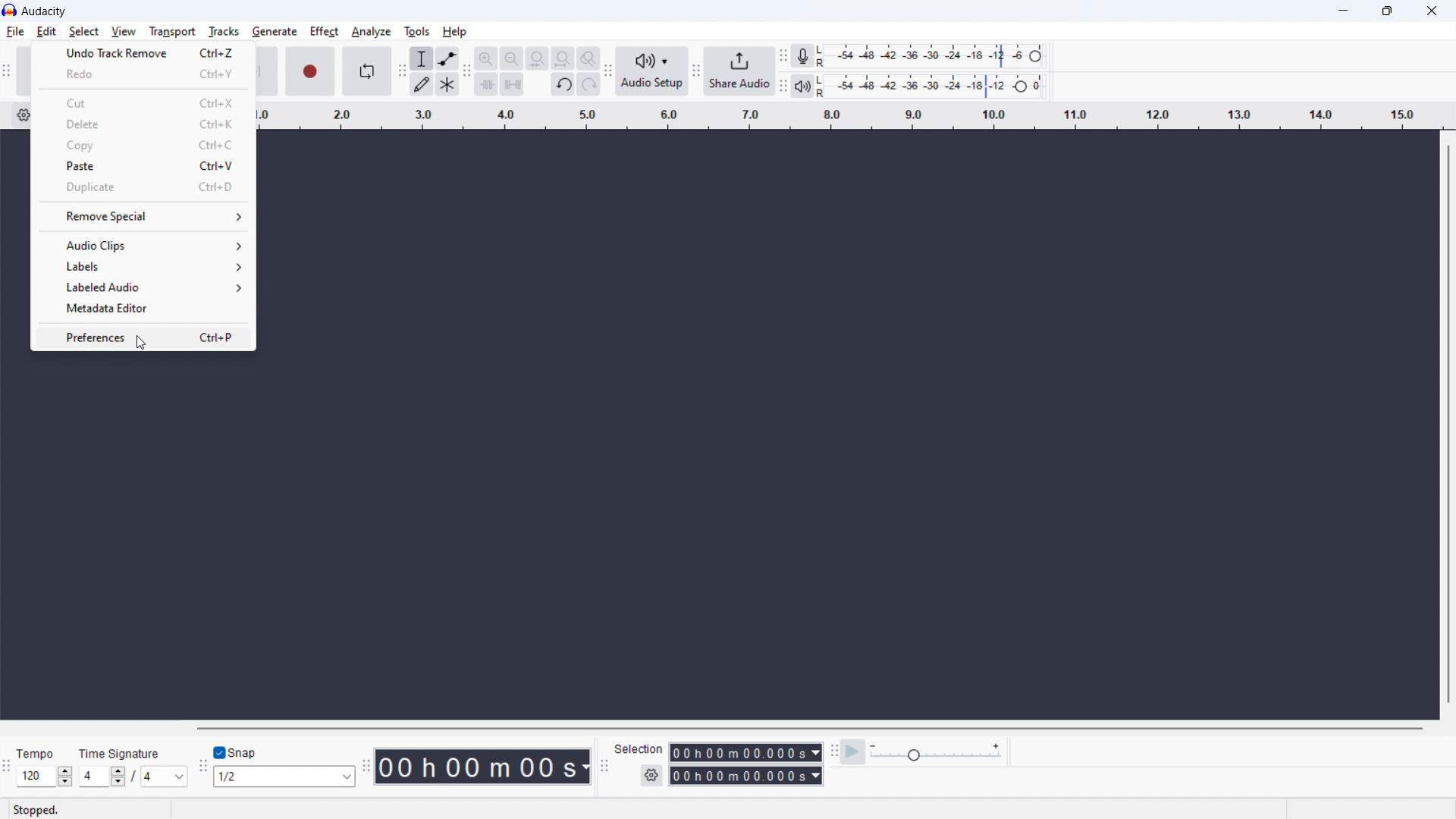 This screenshot has height=819, width=1456. What do you see at coordinates (563, 85) in the screenshot?
I see `undo` at bounding box center [563, 85].